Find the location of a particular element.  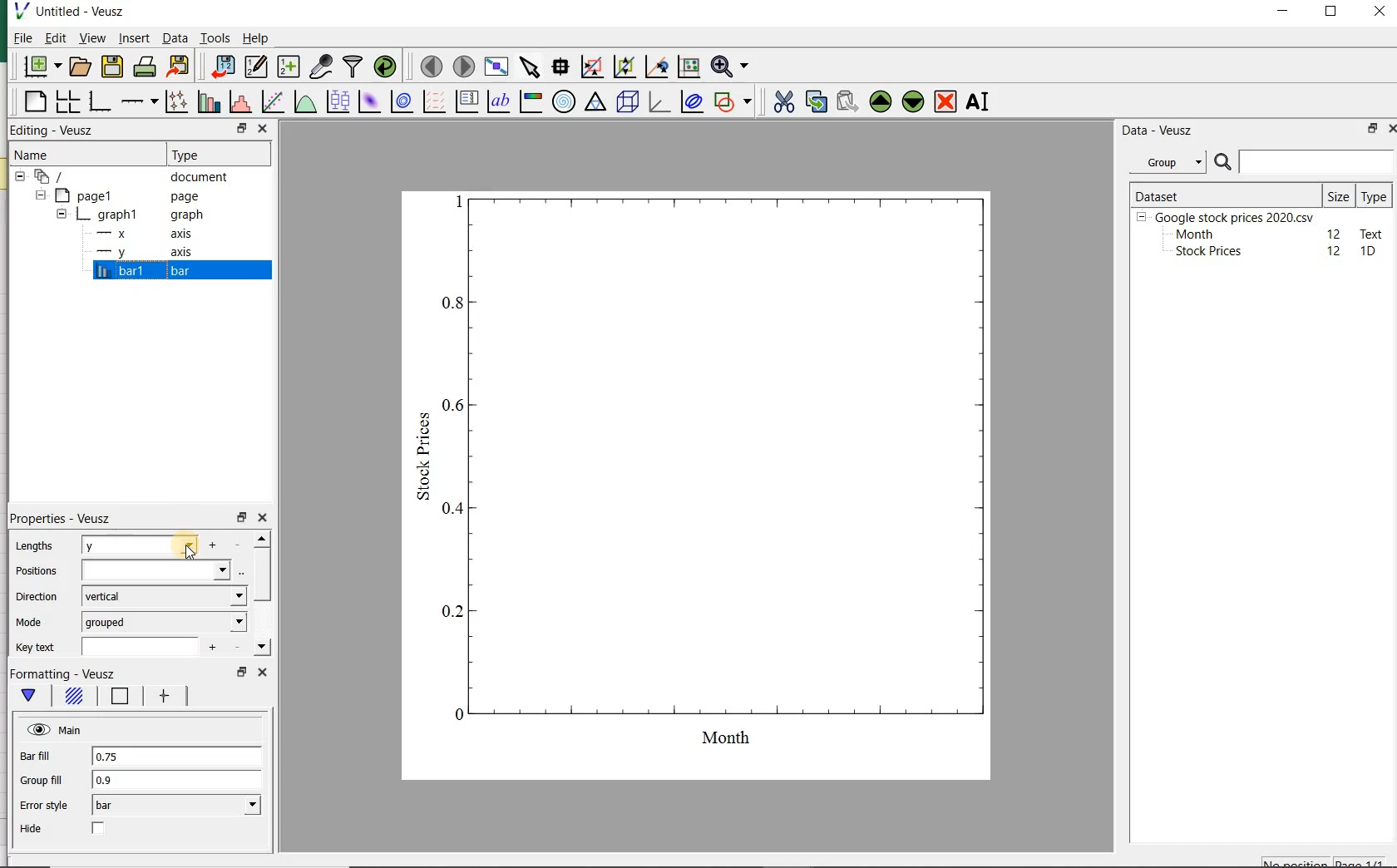

Help is located at coordinates (258, 40).